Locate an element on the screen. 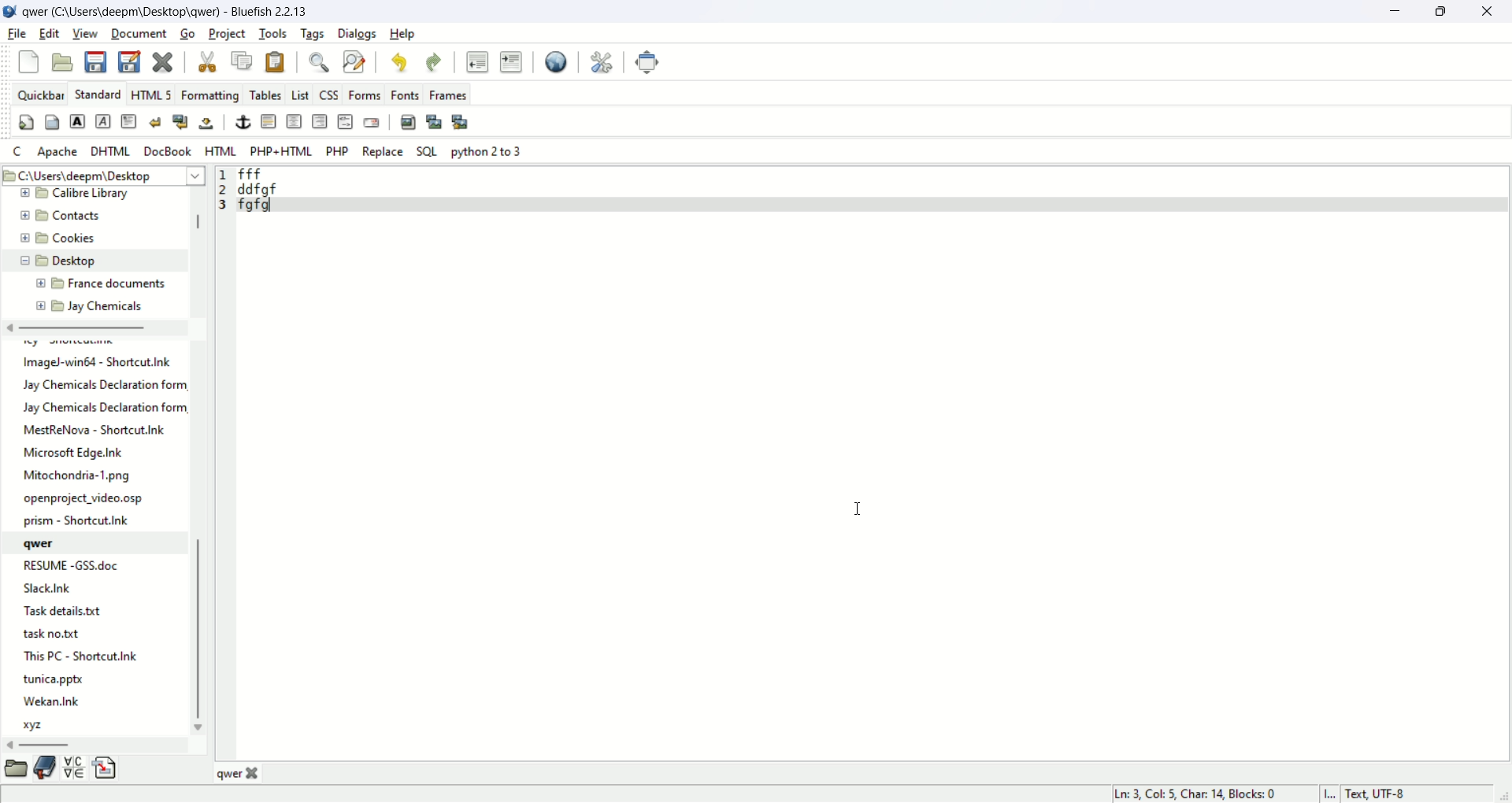 The width and height of the screenshot is (1512, 803). non- breaking space is located at coordinates (207, 124).